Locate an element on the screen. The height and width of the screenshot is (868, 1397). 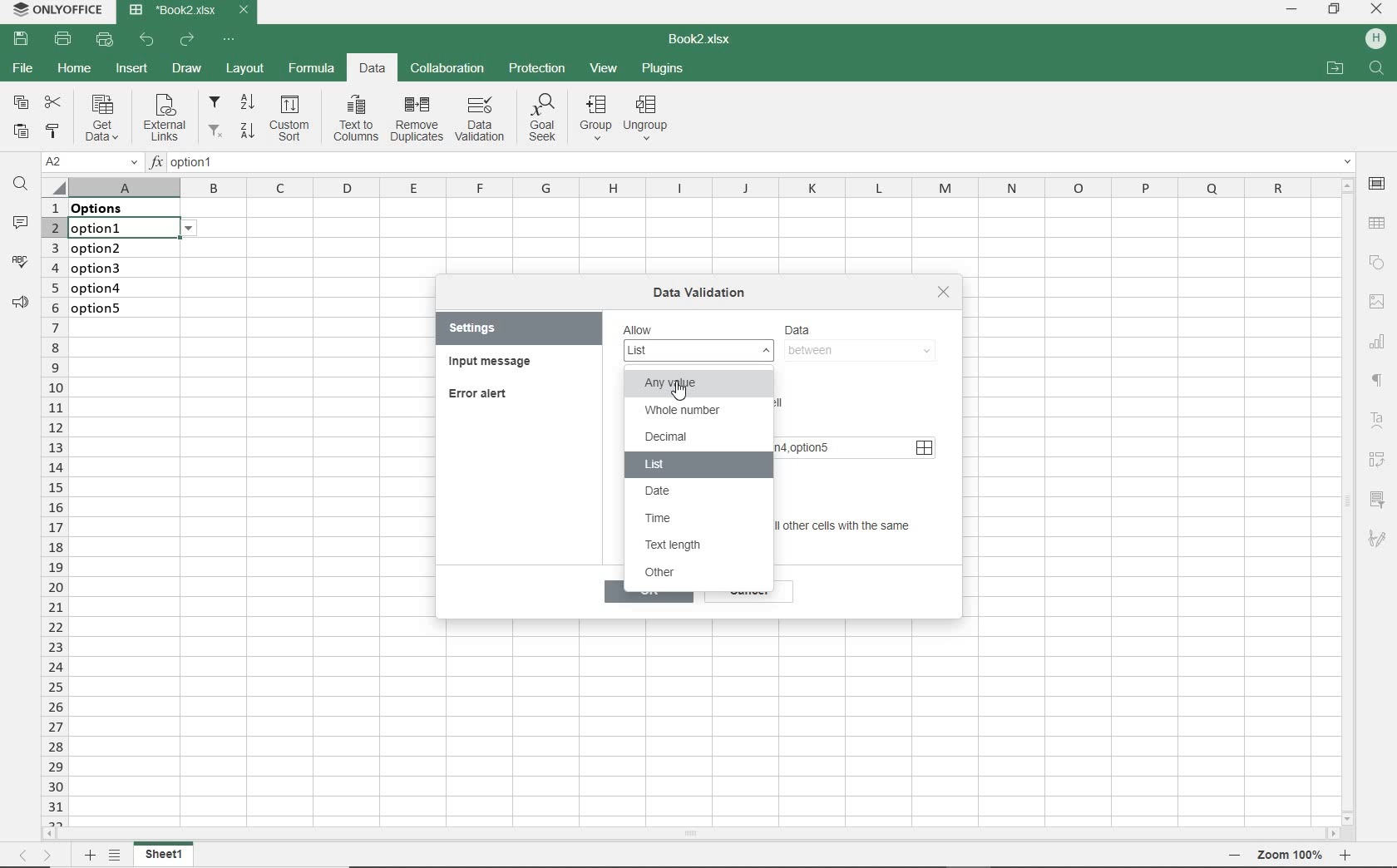
LIST OF SHEETS is located at coordinates (114, 856).